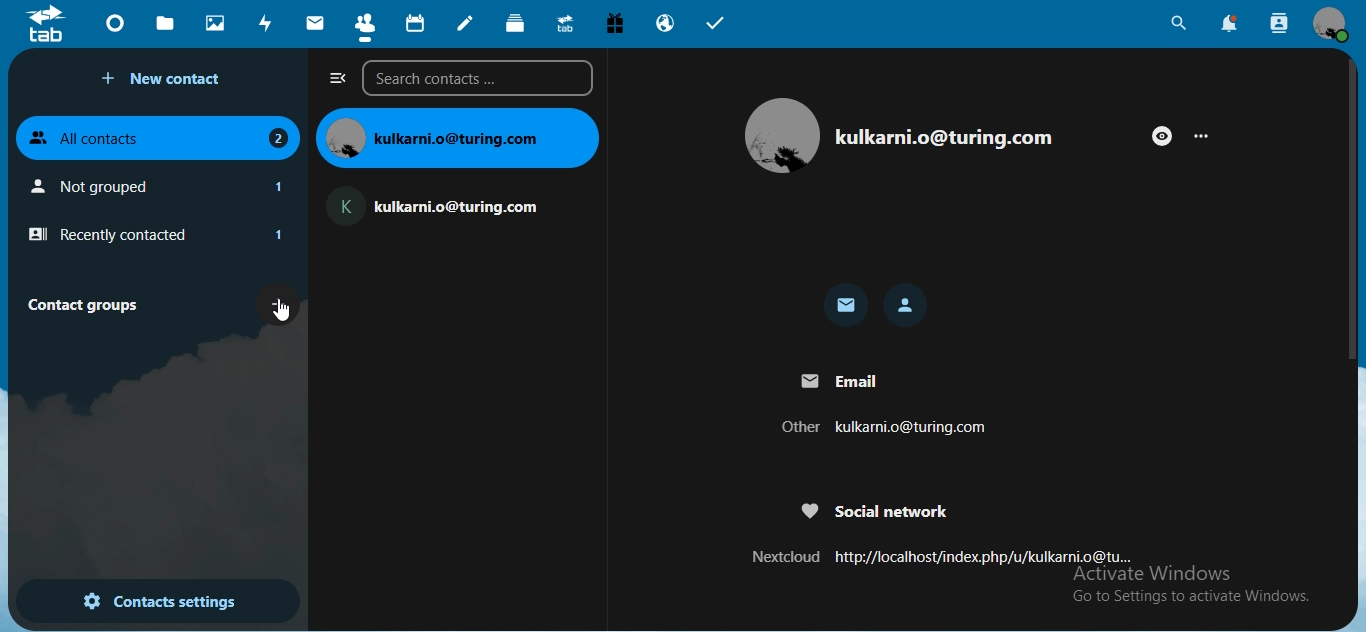  I want to click on not grouped, so click(162, 186).